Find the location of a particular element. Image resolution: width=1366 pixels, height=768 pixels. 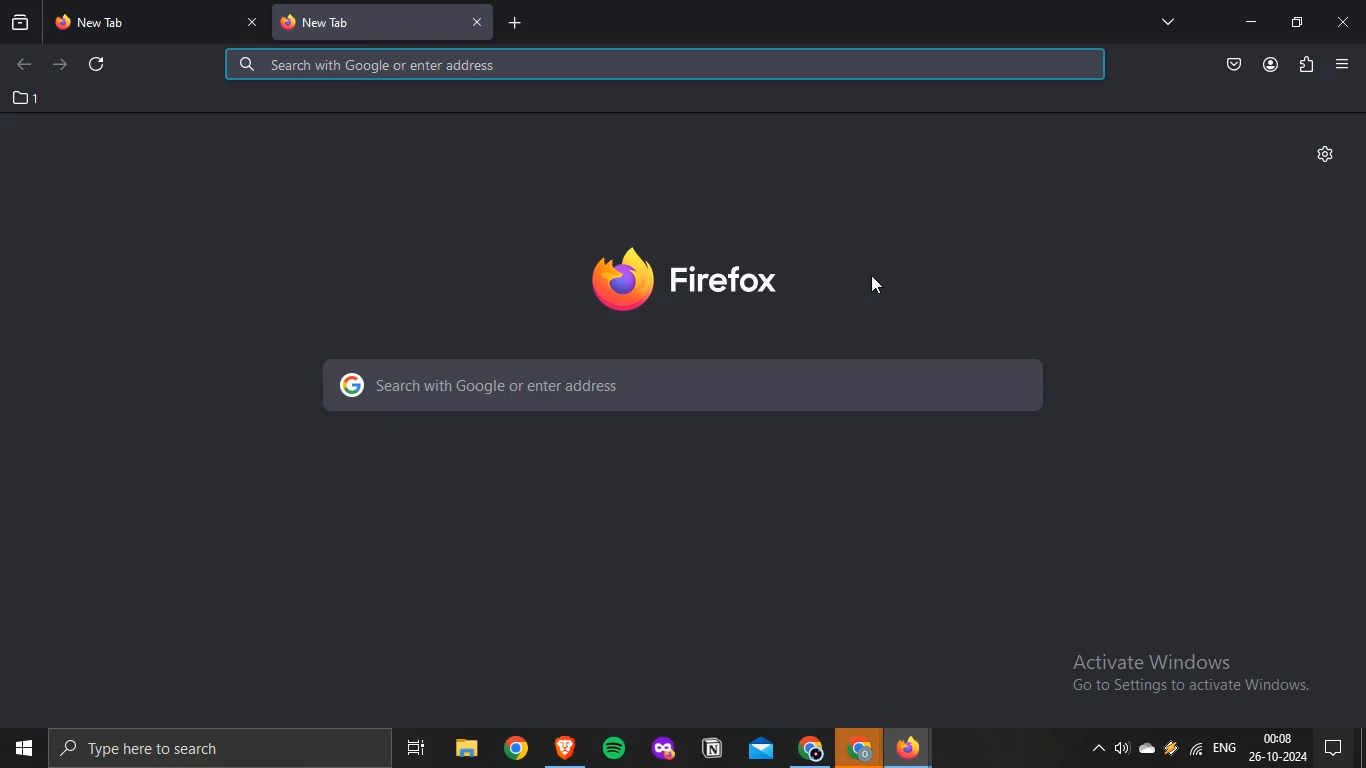

 is located at coordinates (515, 747).